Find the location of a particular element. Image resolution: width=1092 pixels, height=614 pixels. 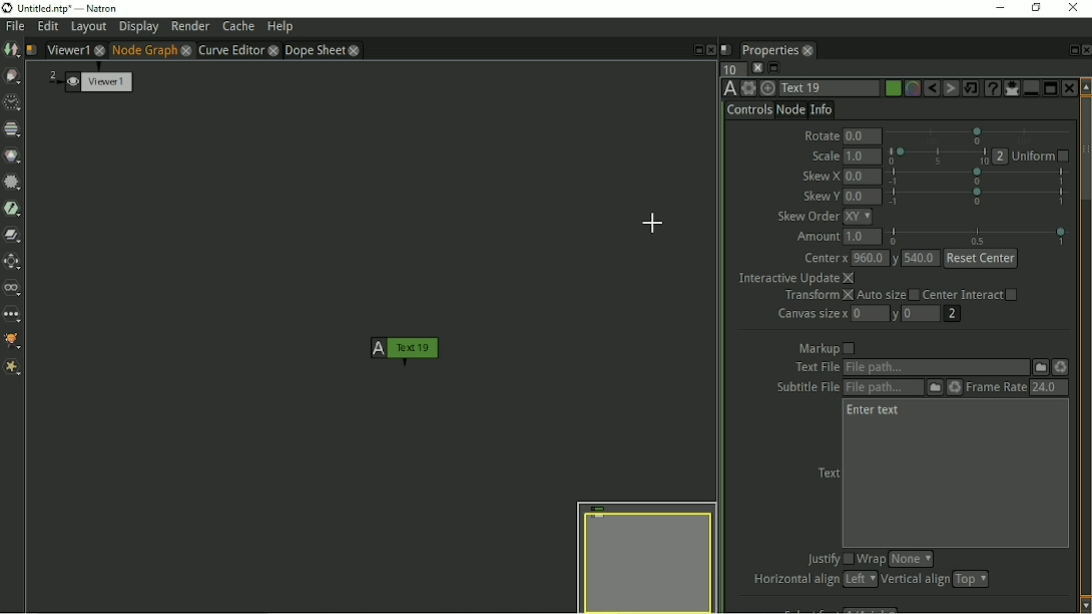

Filter is located at coordinates (12, 183).